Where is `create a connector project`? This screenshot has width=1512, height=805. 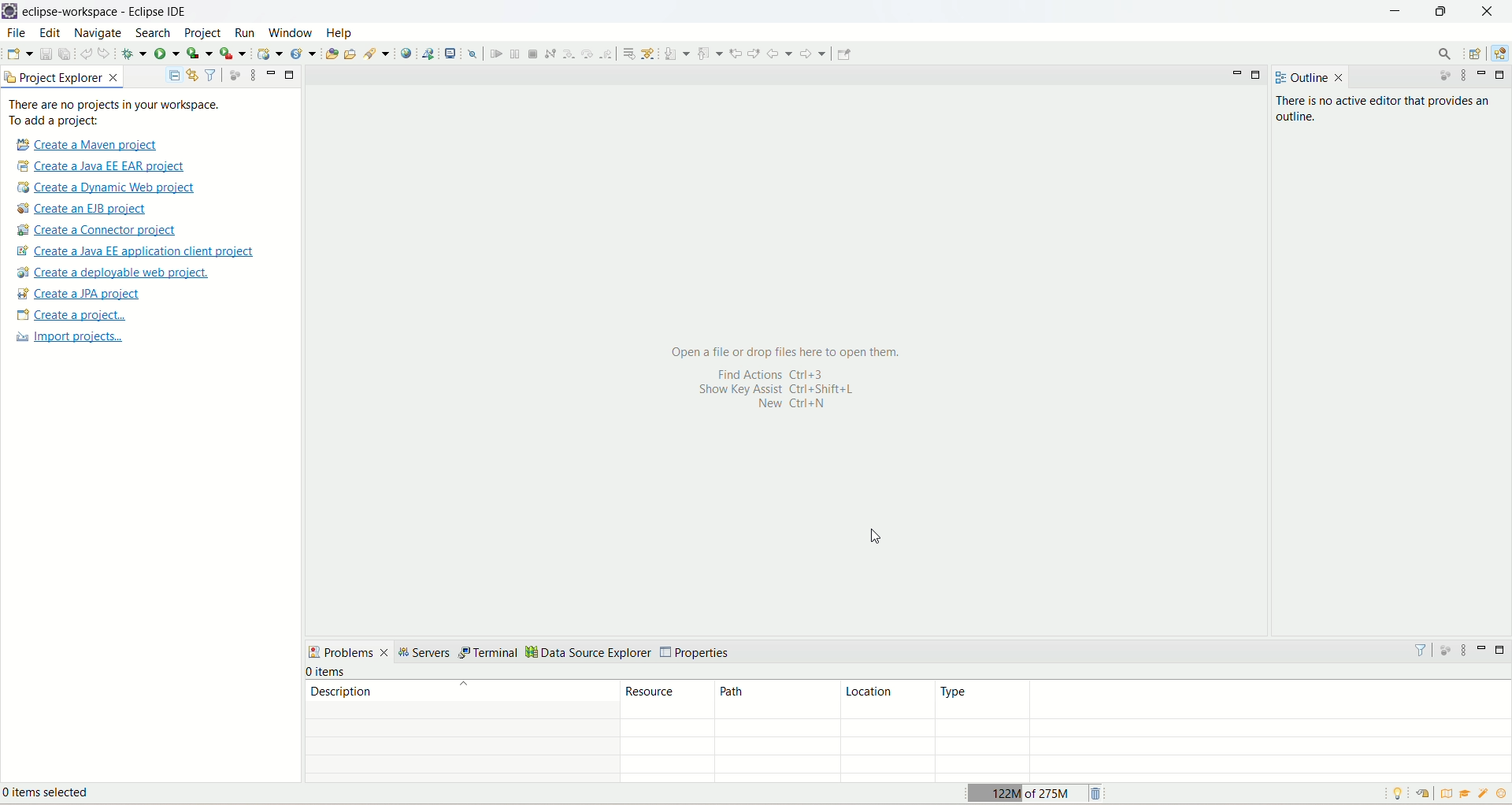 create a connector project is located at coordinates (99, 231).